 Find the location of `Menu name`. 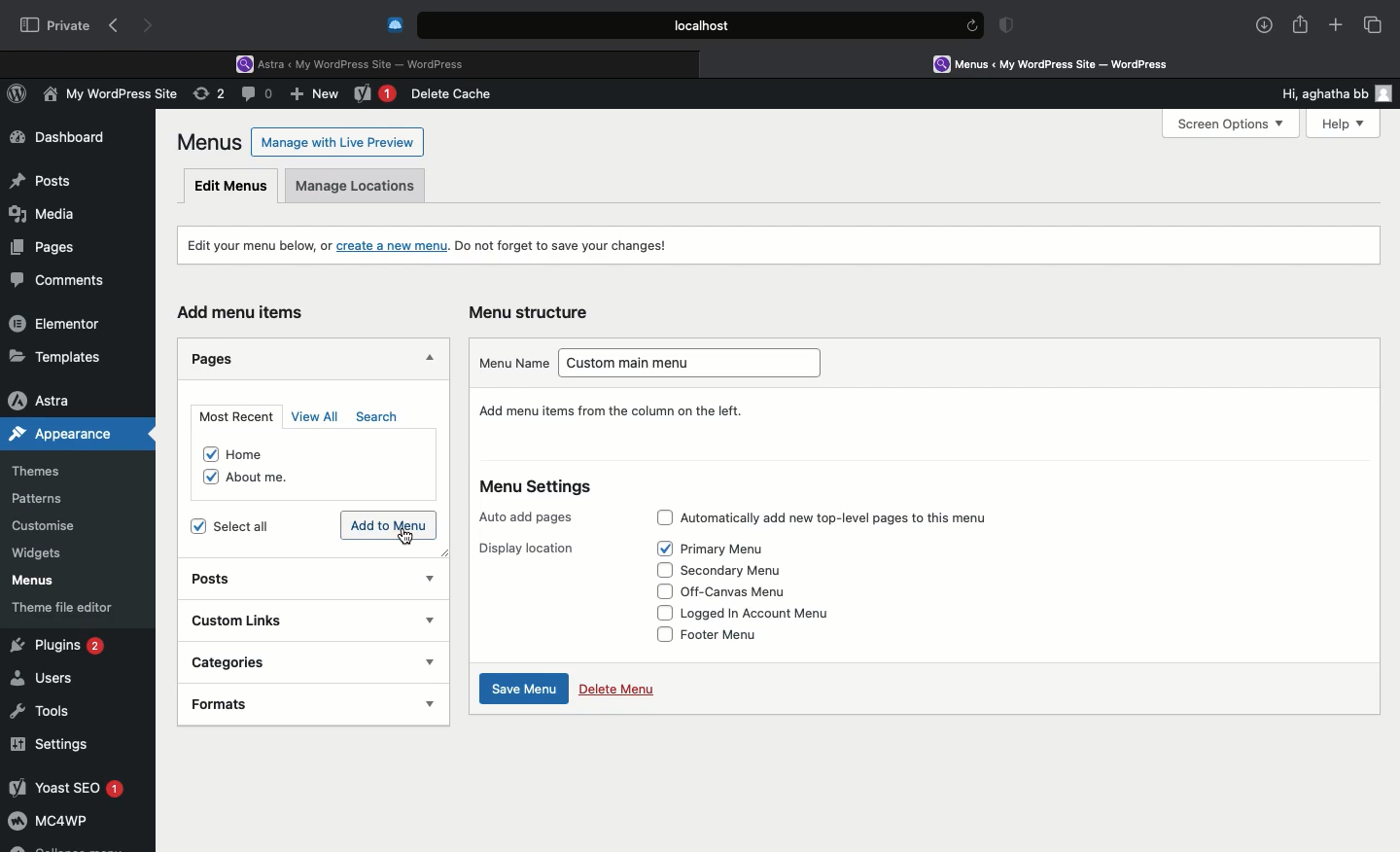

Menu name is located at coordinates (512, 362).